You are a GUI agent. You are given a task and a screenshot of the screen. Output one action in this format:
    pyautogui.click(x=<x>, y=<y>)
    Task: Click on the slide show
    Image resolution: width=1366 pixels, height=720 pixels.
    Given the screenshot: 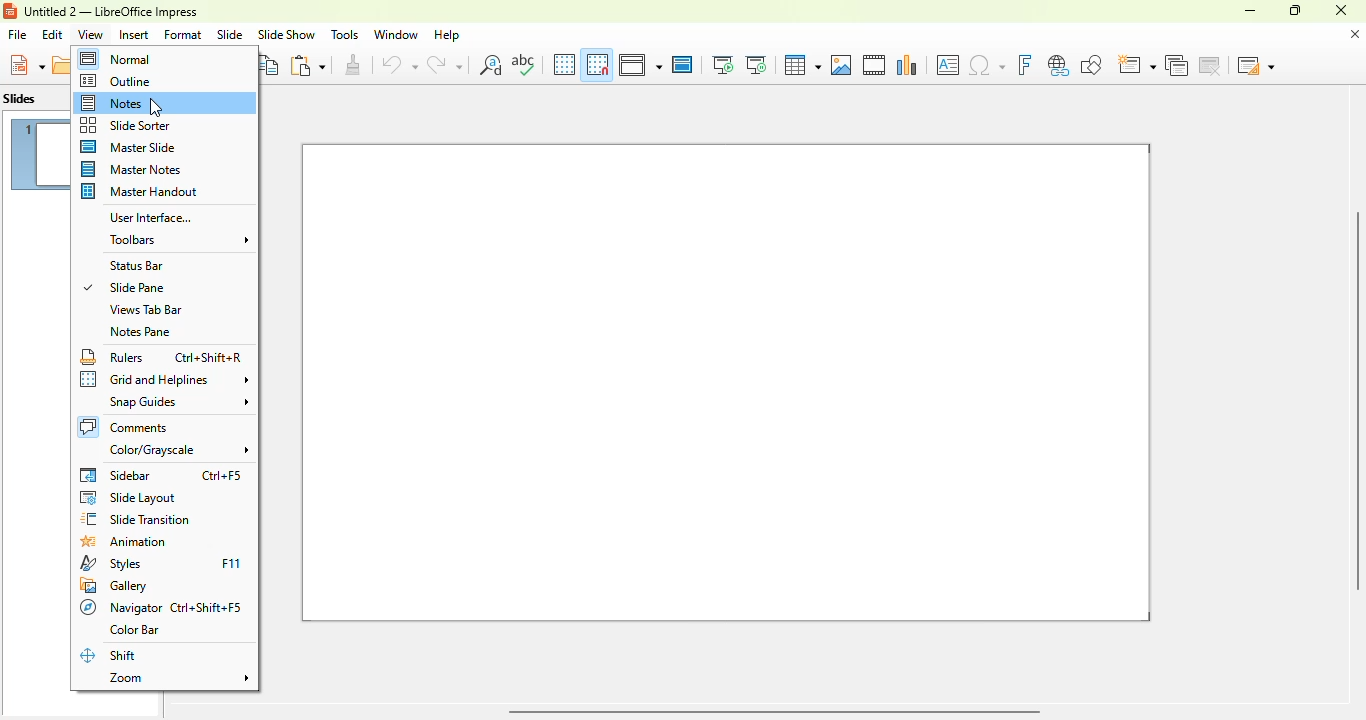 What is the action you would take?
    pyautogui.click(x=287, y=34)
    